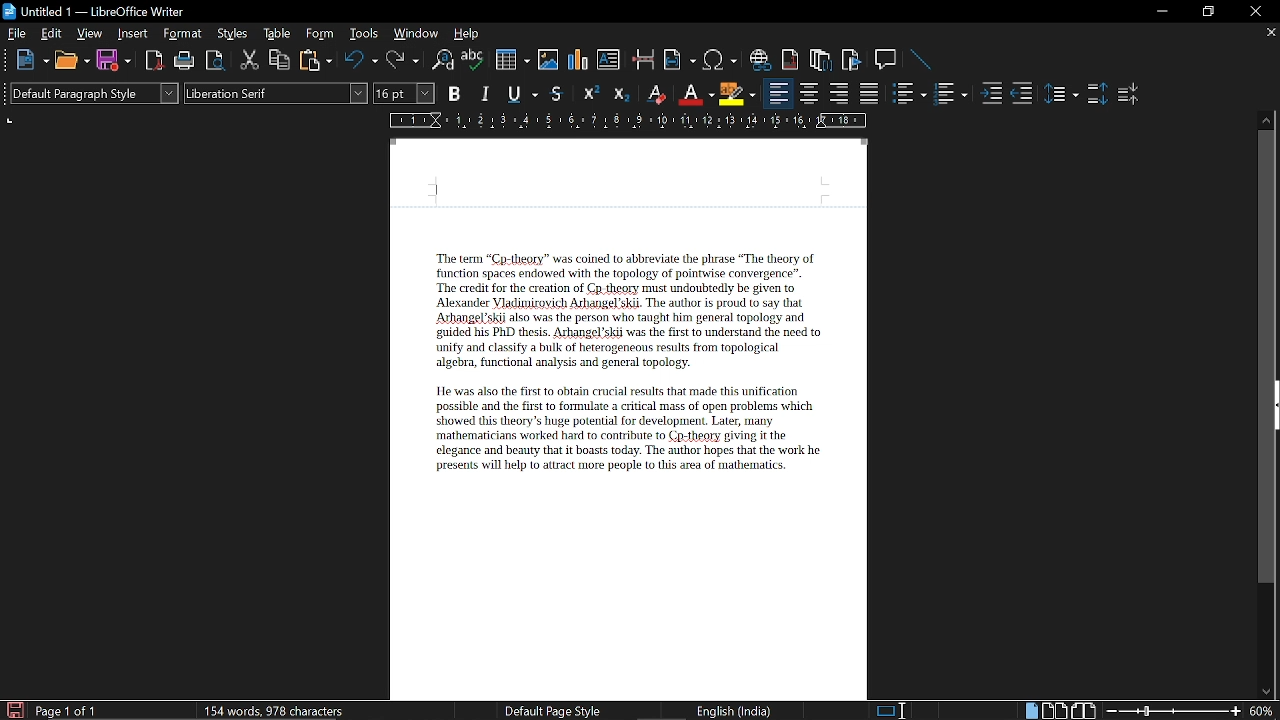 Image resolution: width=1280 pixels, height=720 pixels. I want to click on Insert, so click(137, 33).